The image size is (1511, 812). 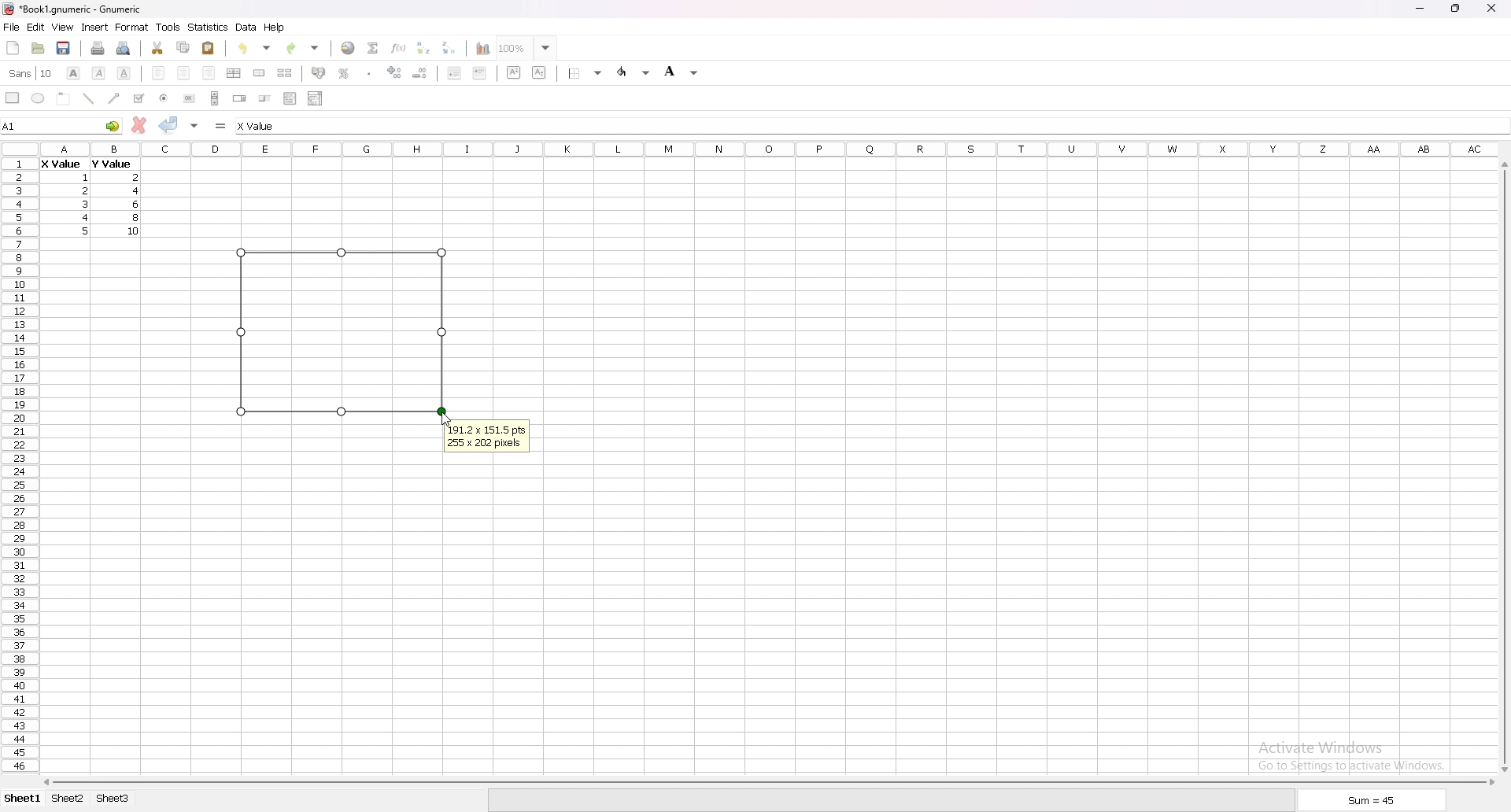 What do you see at coordinates (209, 27) in the screenshot?
I see `statistics` at bounding box center [209, 27].